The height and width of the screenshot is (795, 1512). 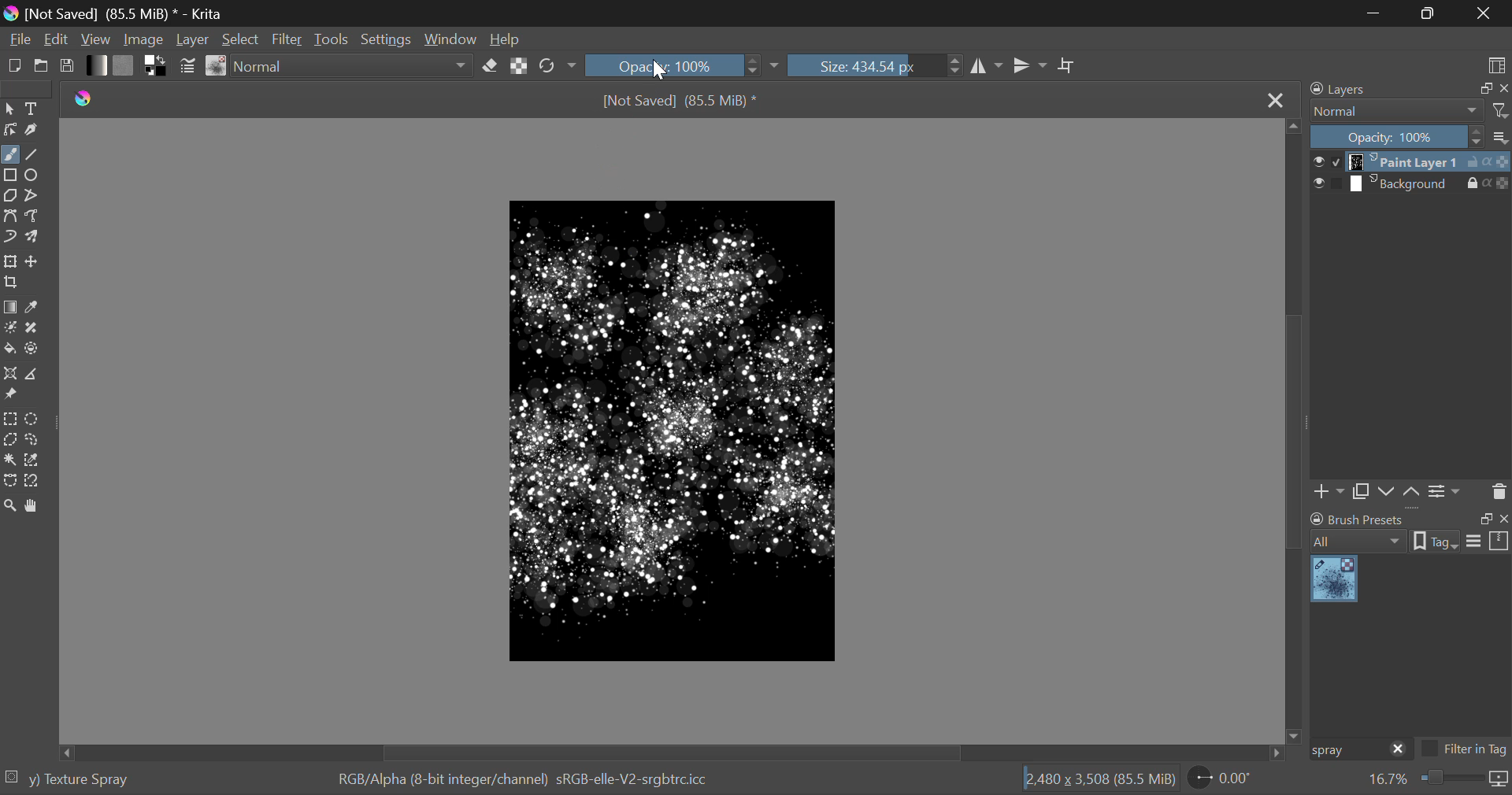 I want to click on Eyedropper, so click(x=34, y=309).